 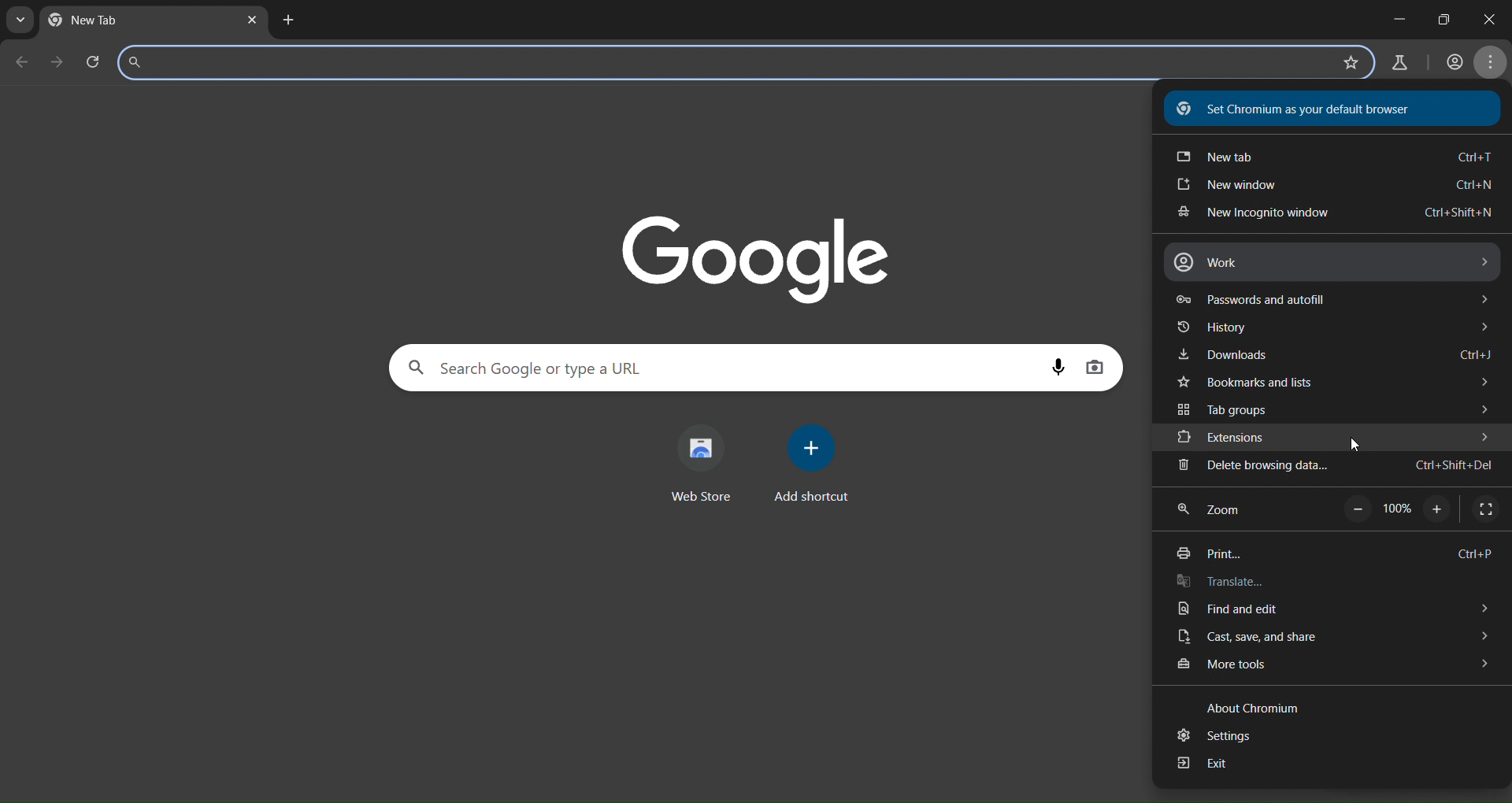 I want to click on zoom in, so click(x=1437, y=509).